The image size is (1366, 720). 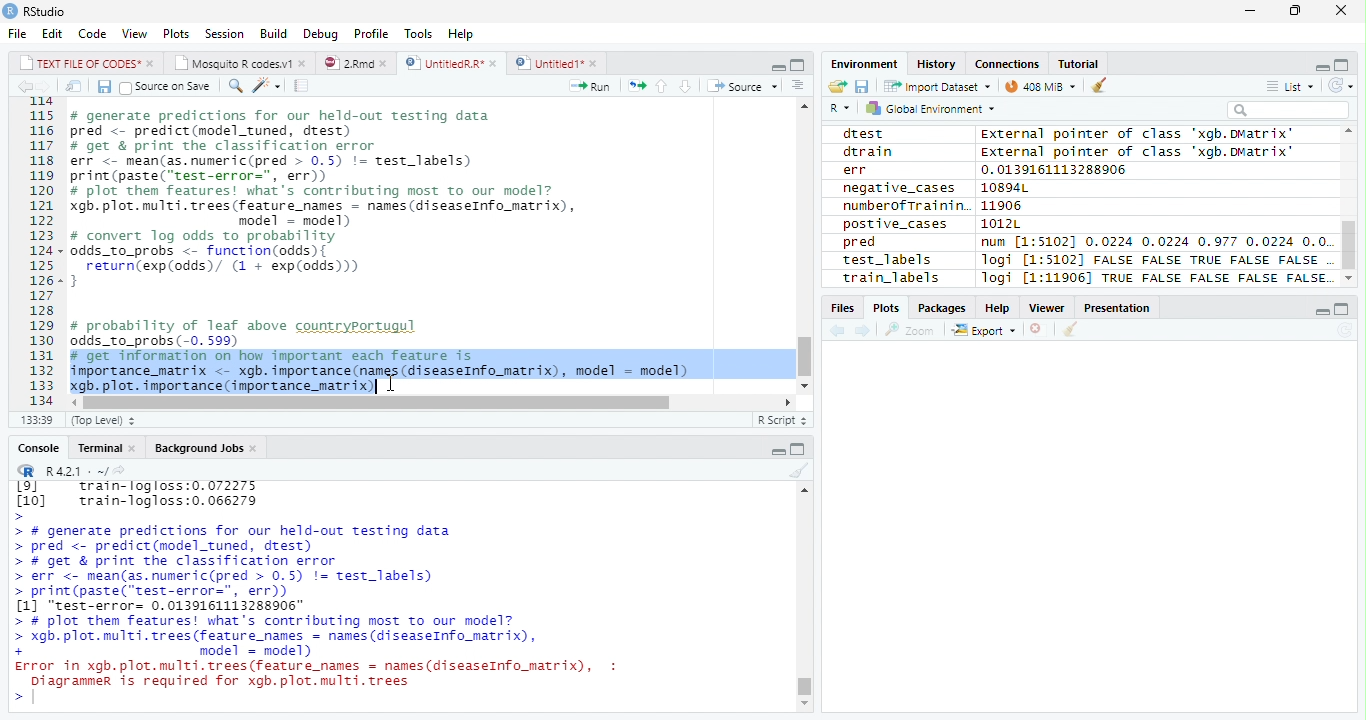 What do you see at coordinates (1289, 85) in the screenshot?
I see `List` at bounding box center [1289, 85].